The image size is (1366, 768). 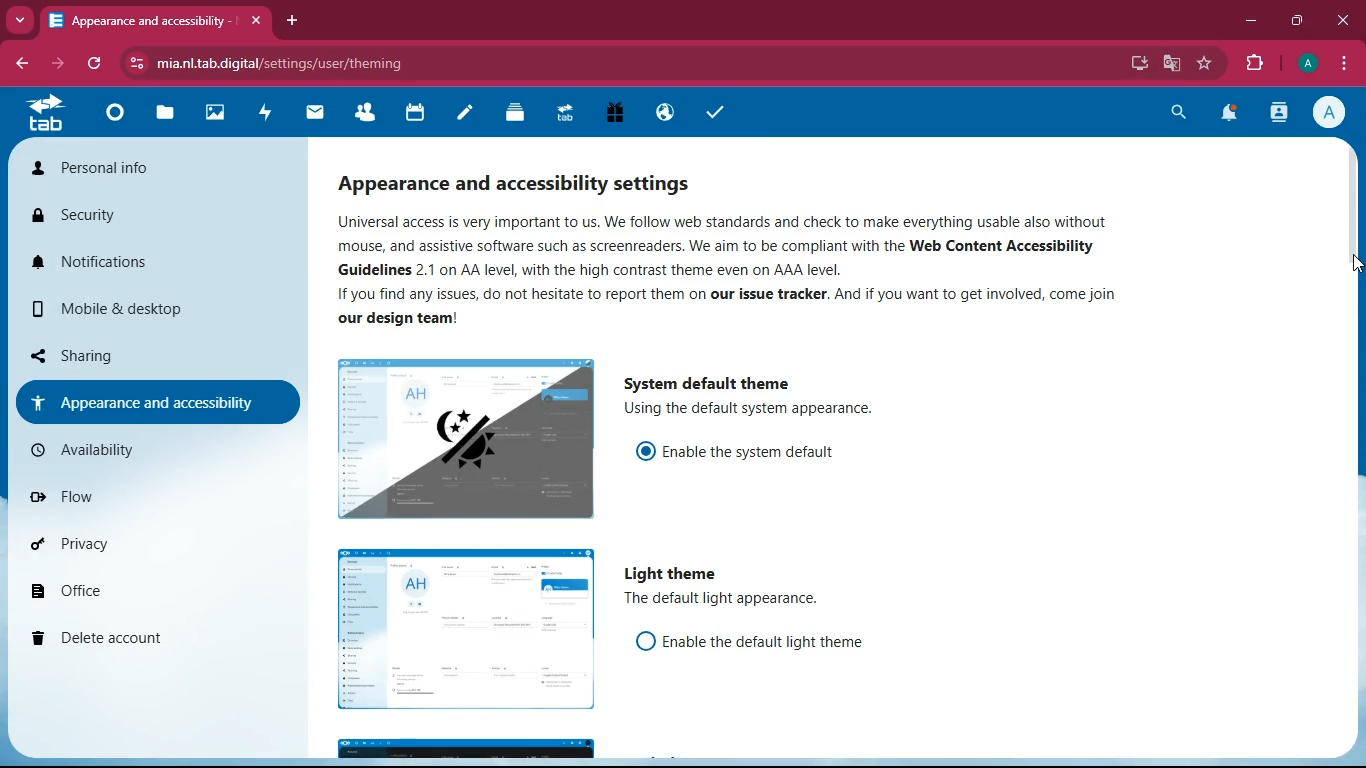 What do you see at coordinates (1171, 61) in the screenshot?
I see `google translate` at bounding box center [1171, 61].